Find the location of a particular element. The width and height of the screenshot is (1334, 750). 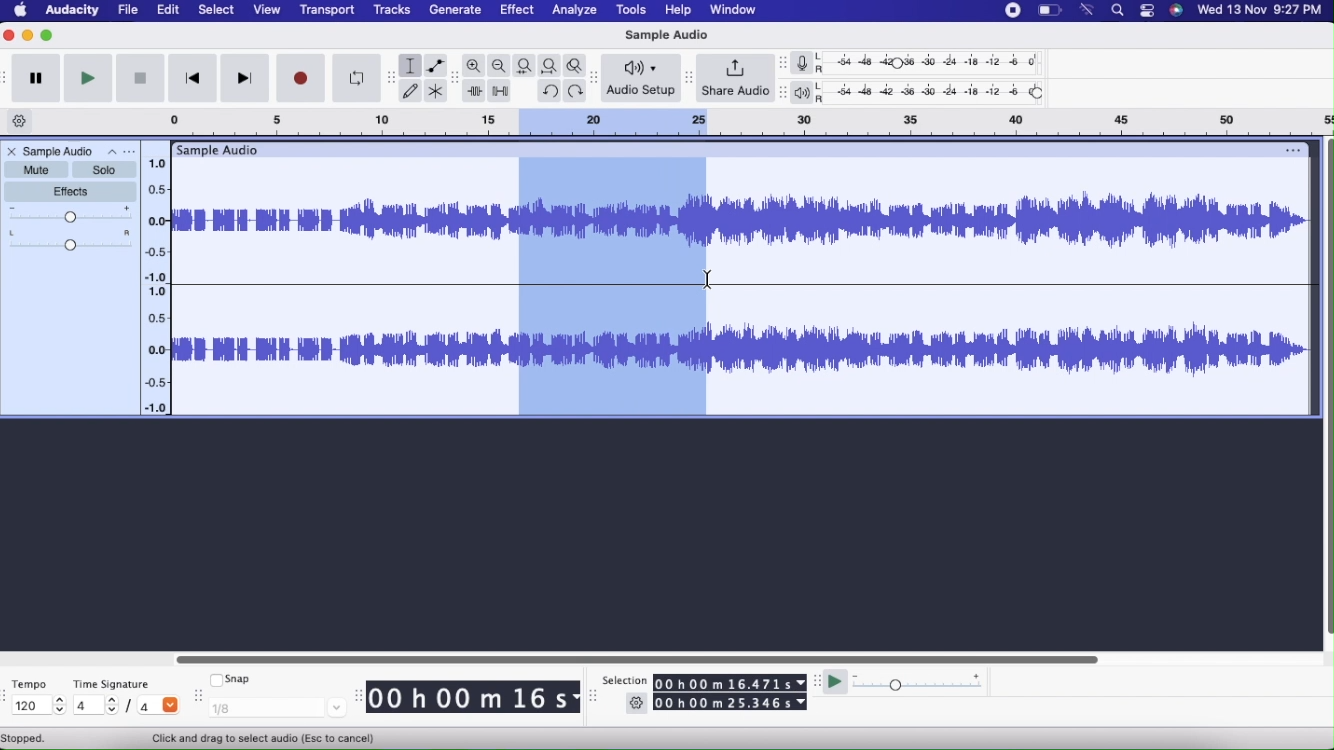

Audacity is located at coordinates (74, 13).